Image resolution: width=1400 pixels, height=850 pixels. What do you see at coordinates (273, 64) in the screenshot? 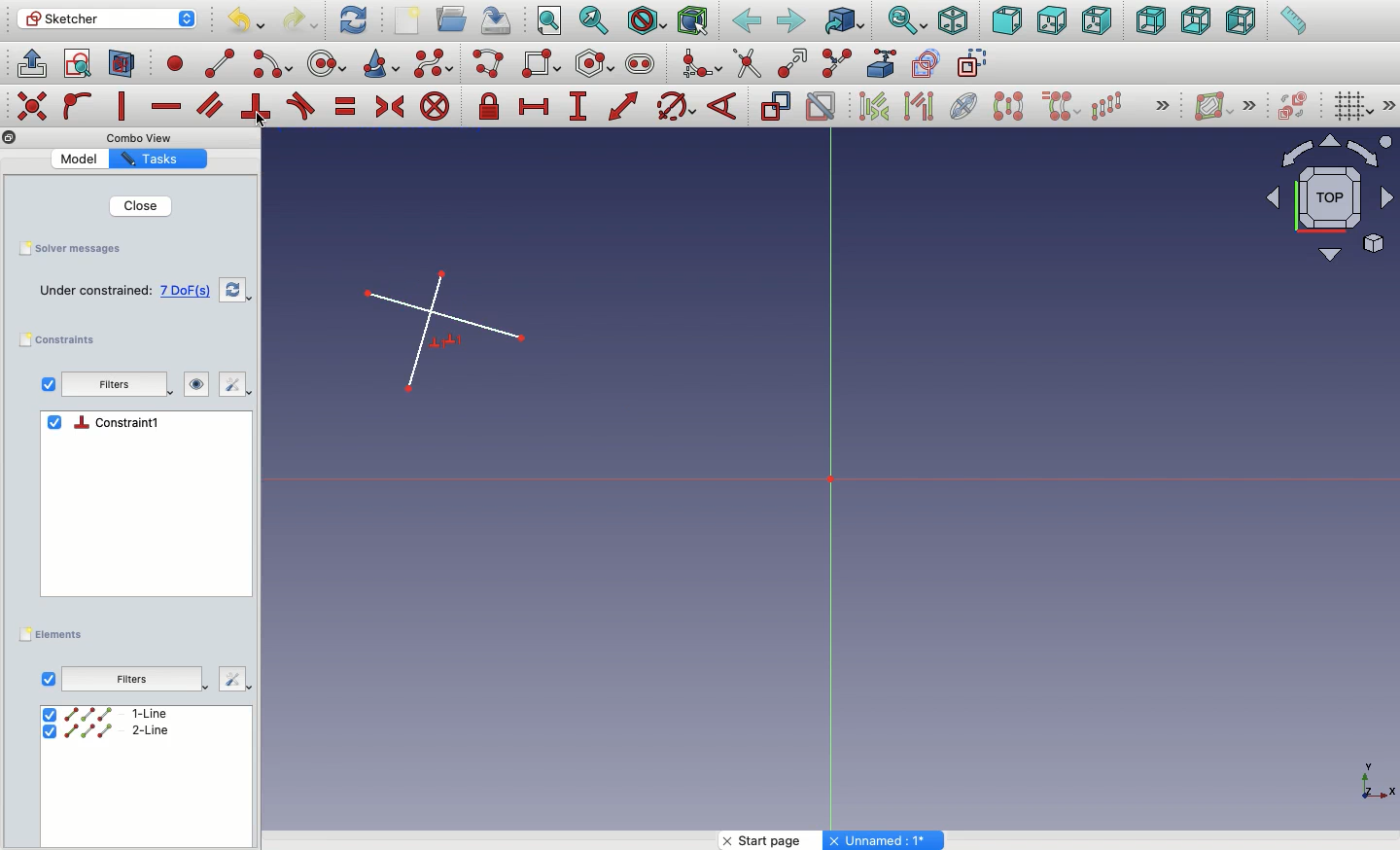
I see `arc` at bounding box center [273, 64].